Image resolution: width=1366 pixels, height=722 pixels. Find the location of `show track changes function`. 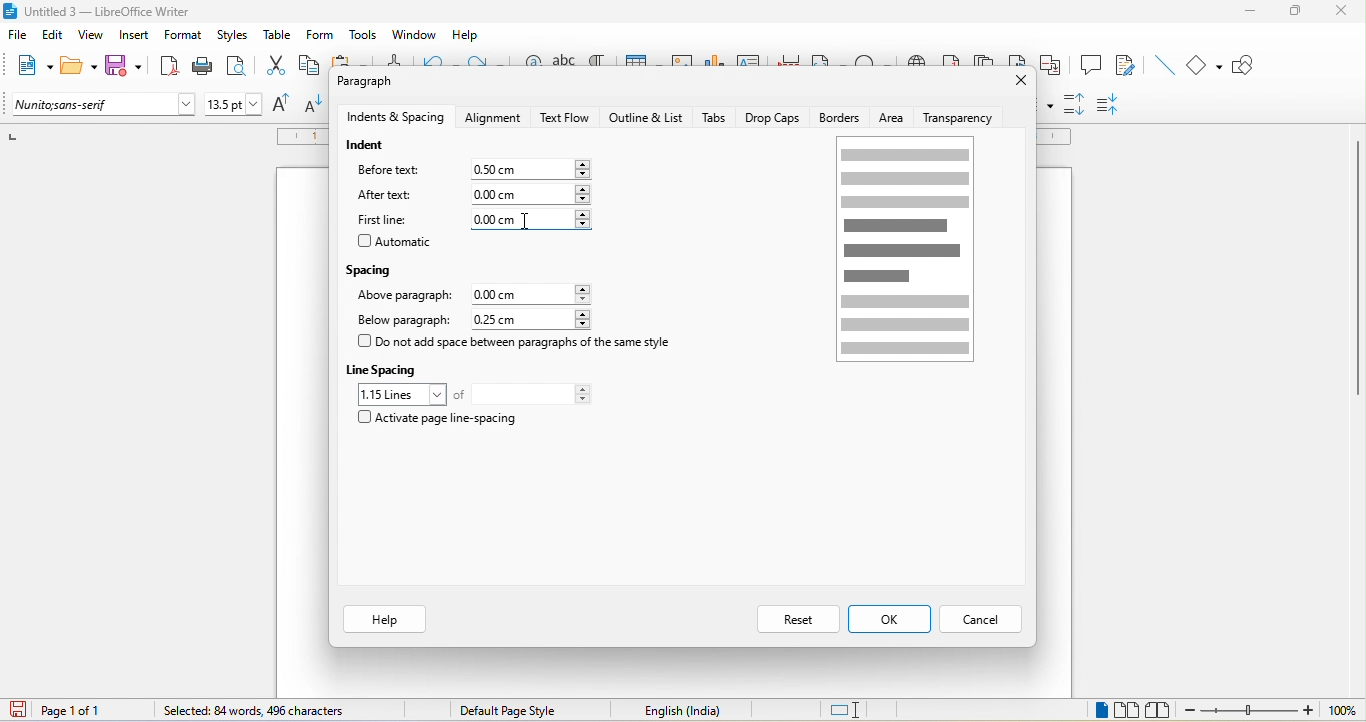

show track changes function is located at coordinates (1129, 66).